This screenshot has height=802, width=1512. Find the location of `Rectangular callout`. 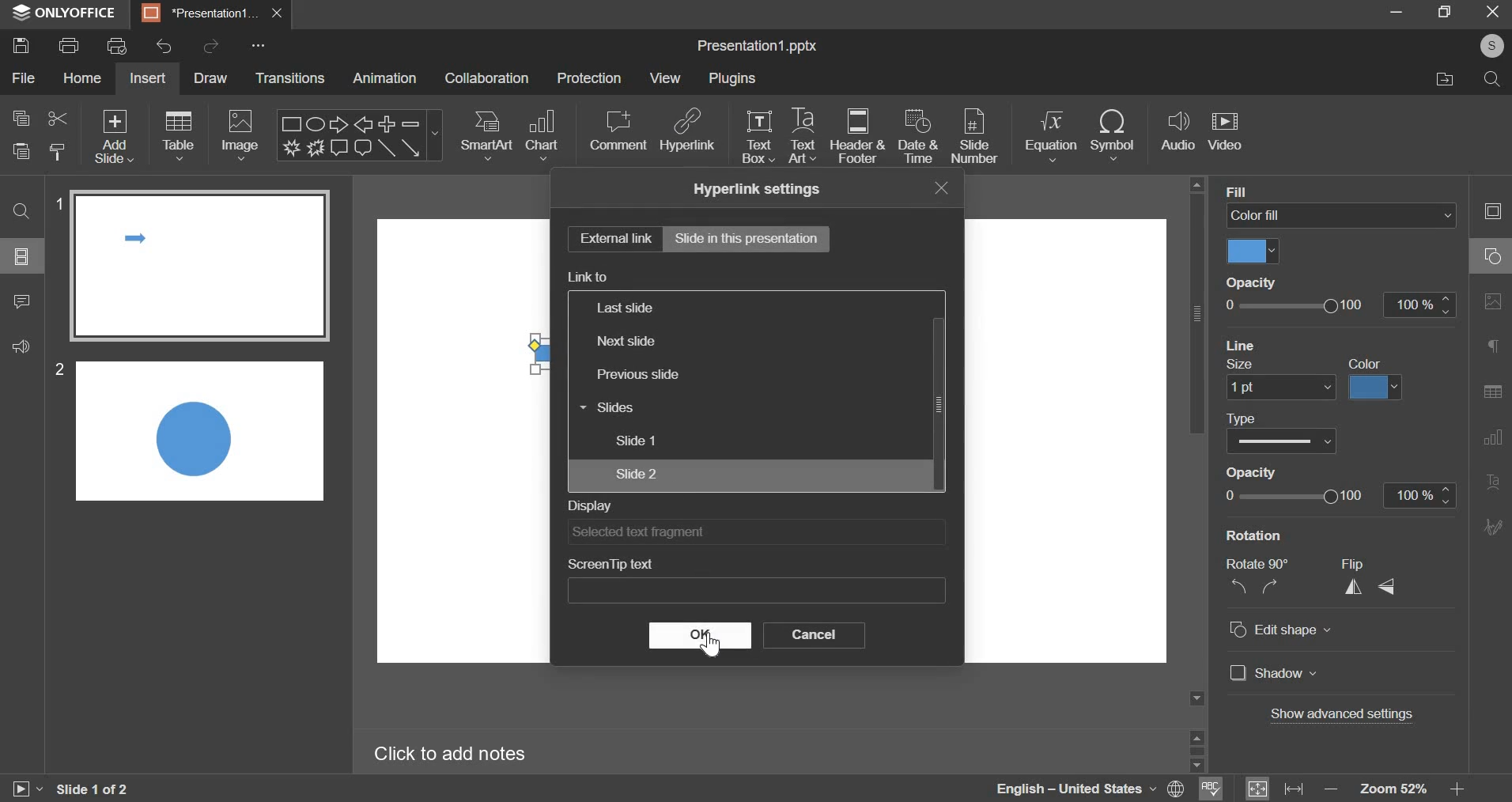

Rectangular callout is located at coordinates (340, 148).